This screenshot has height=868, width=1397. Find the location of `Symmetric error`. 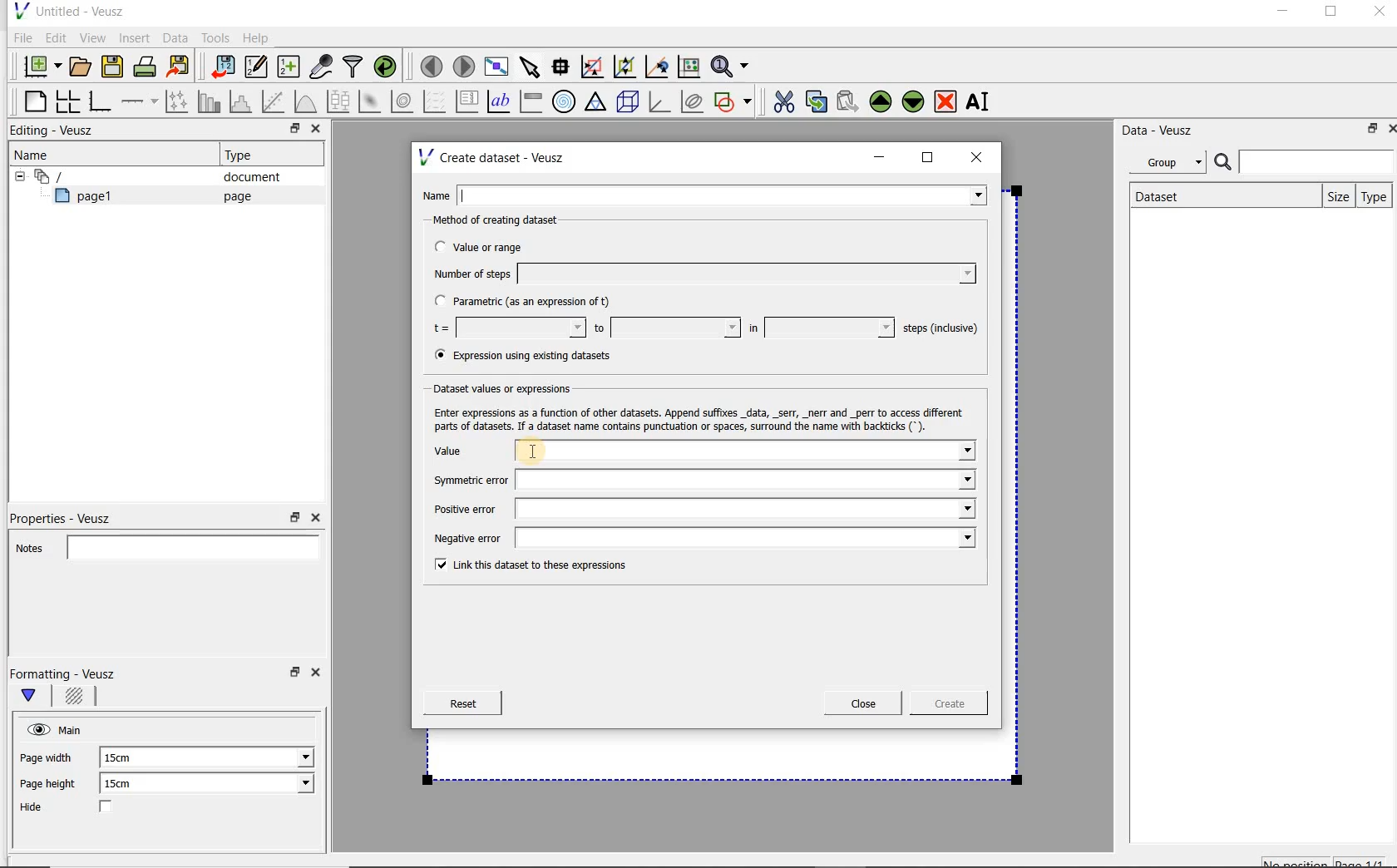

Symmetric error is located at coordinates (698, 480).